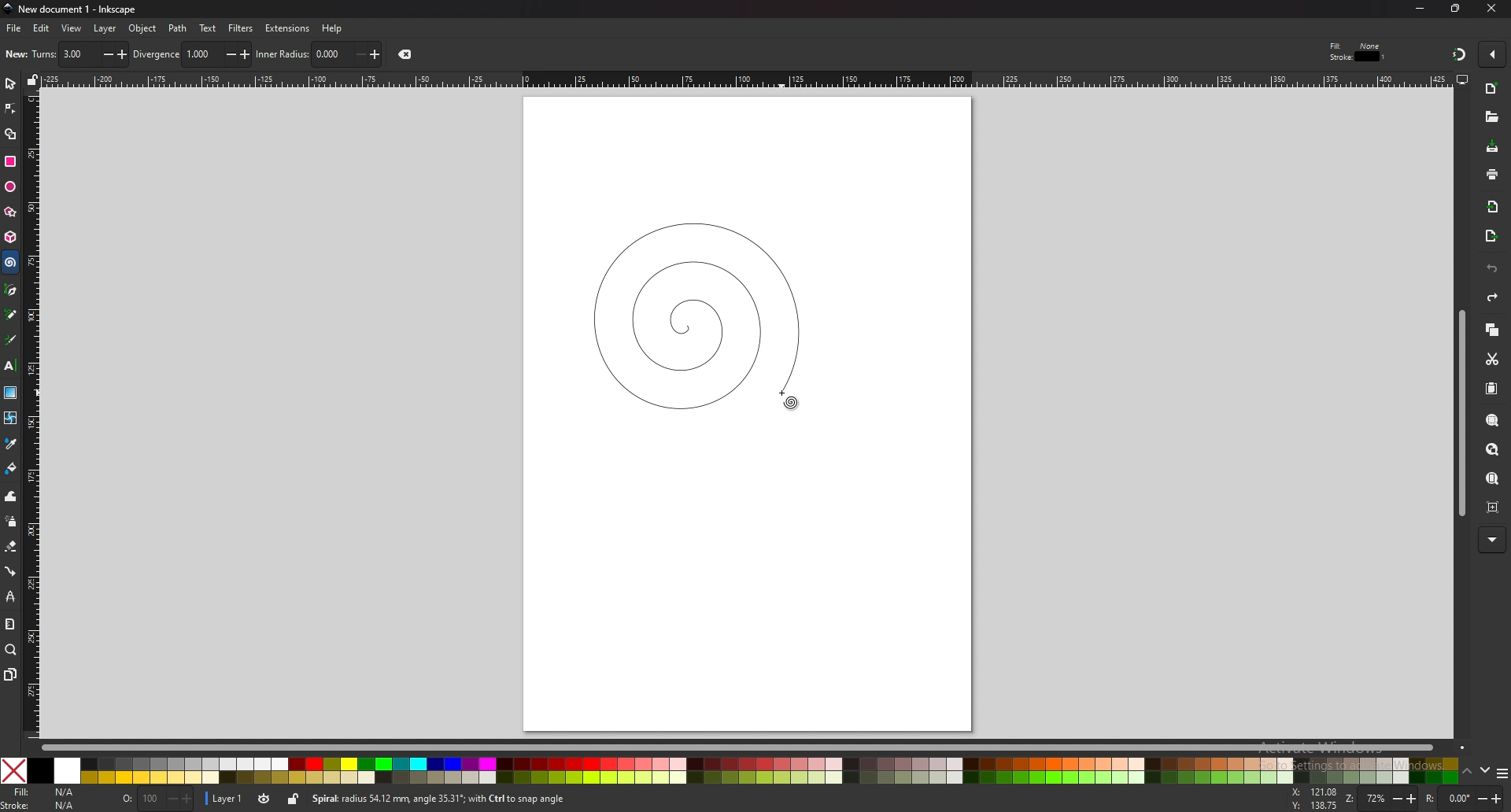 Image resolution: width=1511 pixels, height=812 pixels. Describe the element at coordinates (71, 9) in the screenshot. I see `New document 1 - Inkscape` at that location.